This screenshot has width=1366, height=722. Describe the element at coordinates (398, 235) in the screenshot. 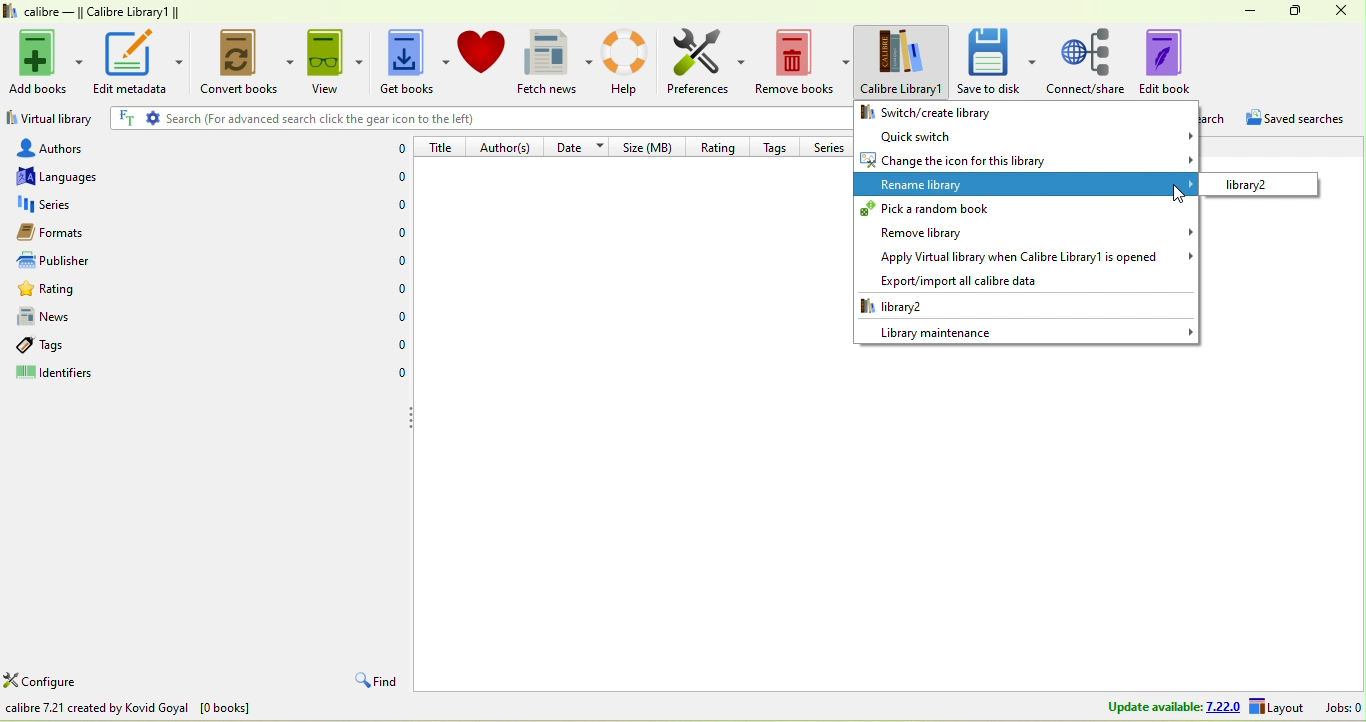

I see `0` at that location.